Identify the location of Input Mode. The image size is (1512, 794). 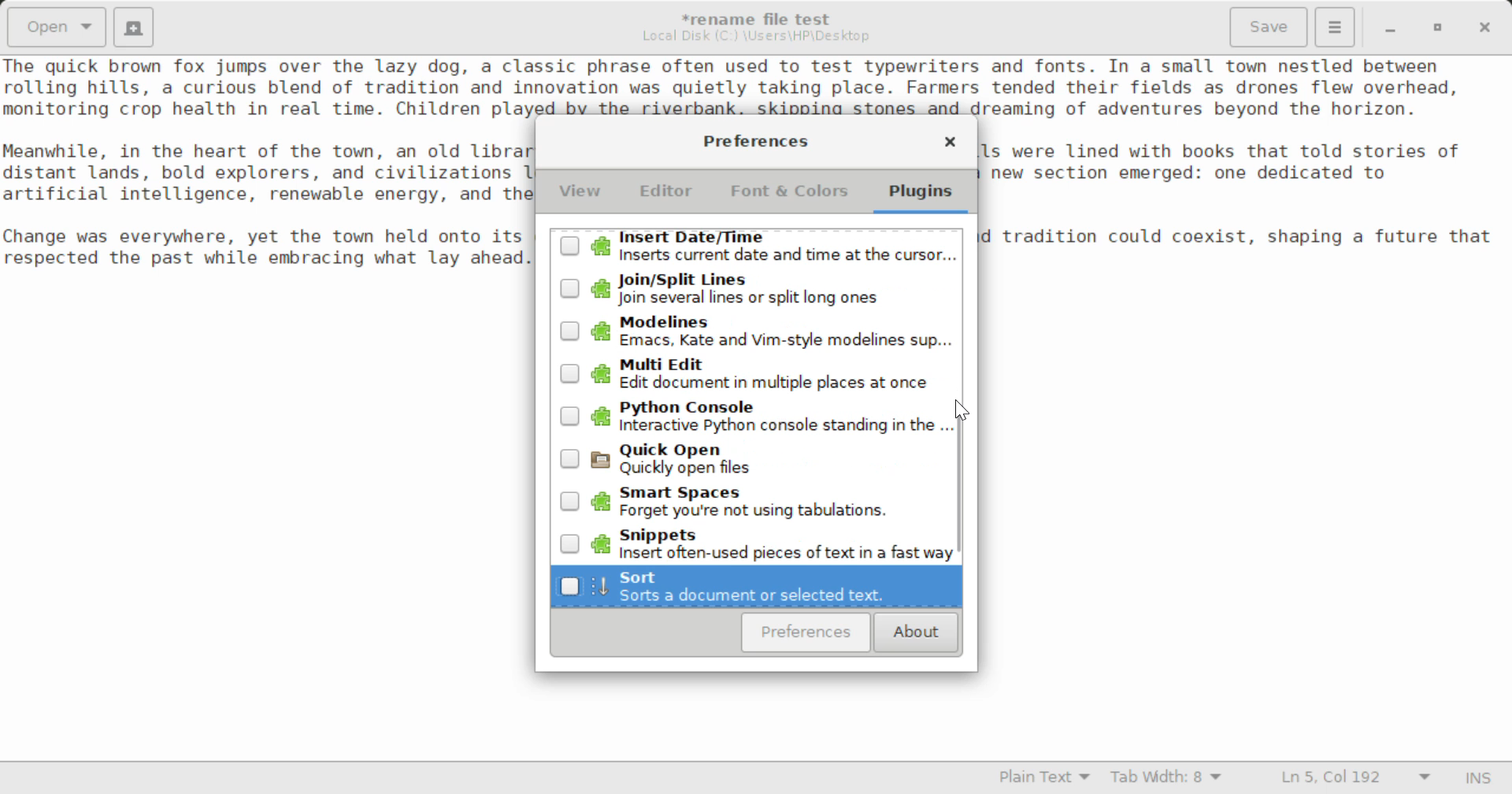
(1478, 780).